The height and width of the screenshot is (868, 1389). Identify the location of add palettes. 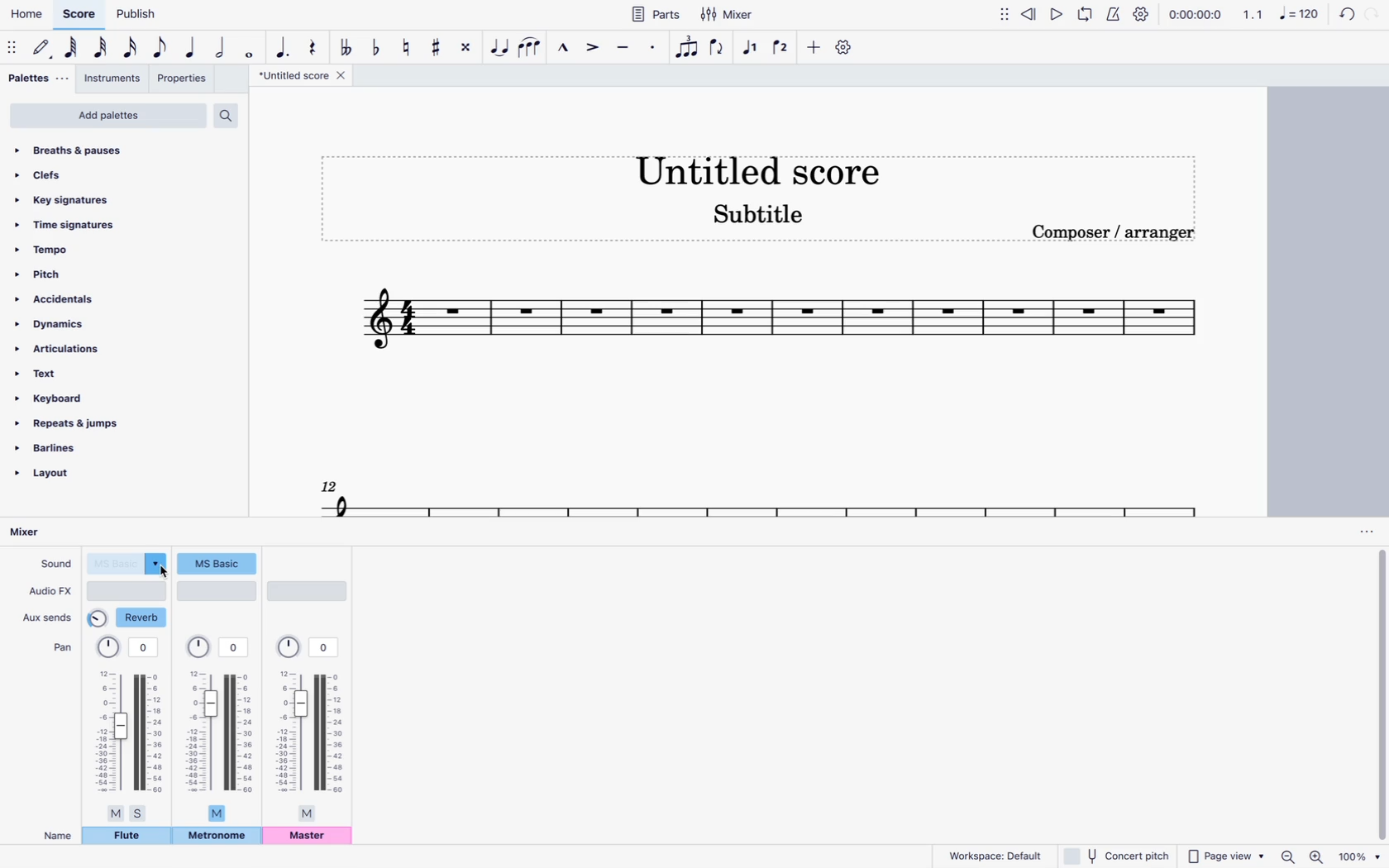
(107, 117).